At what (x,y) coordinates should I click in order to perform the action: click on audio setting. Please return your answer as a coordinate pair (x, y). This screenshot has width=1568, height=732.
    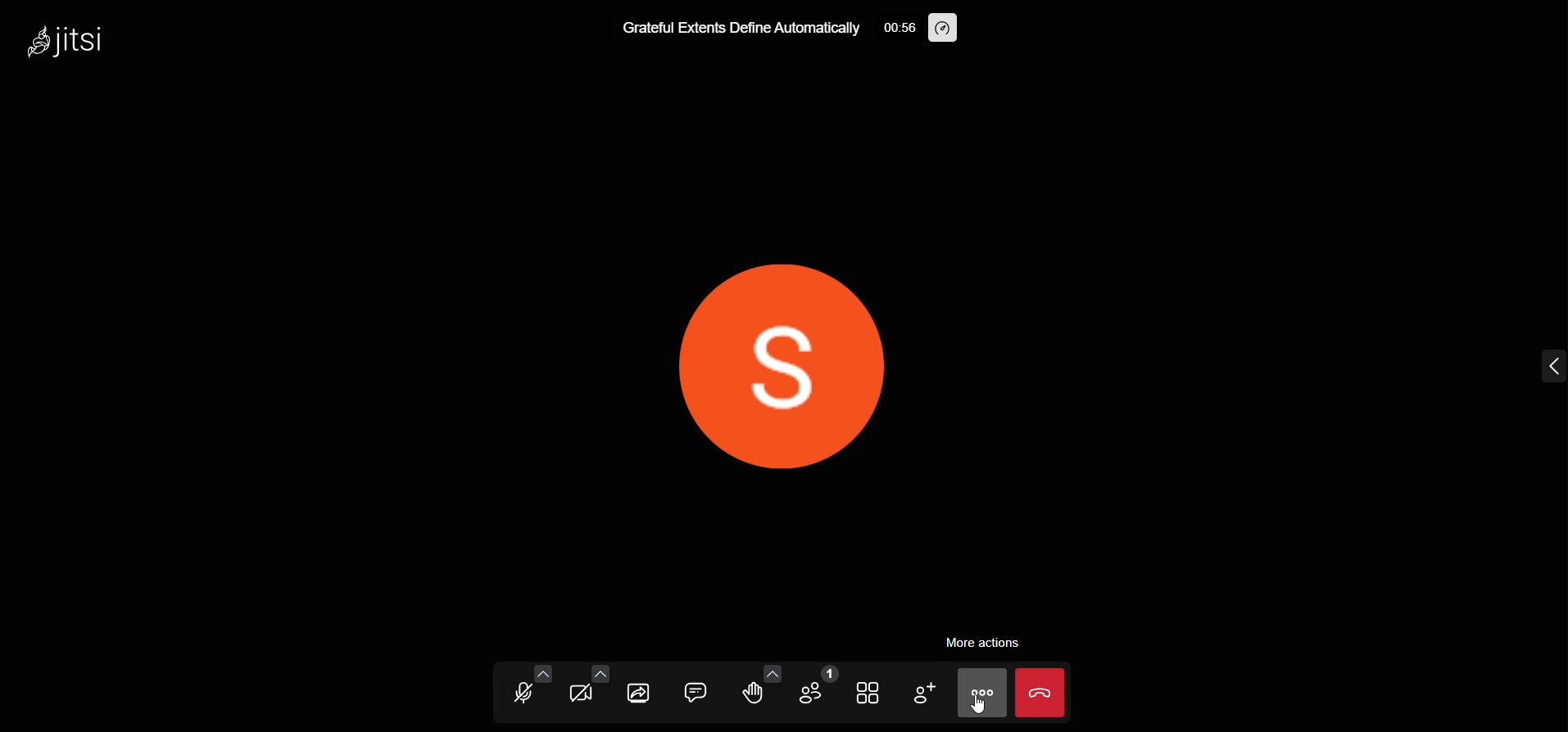
    Looking at the image, I should click on (549, 673).